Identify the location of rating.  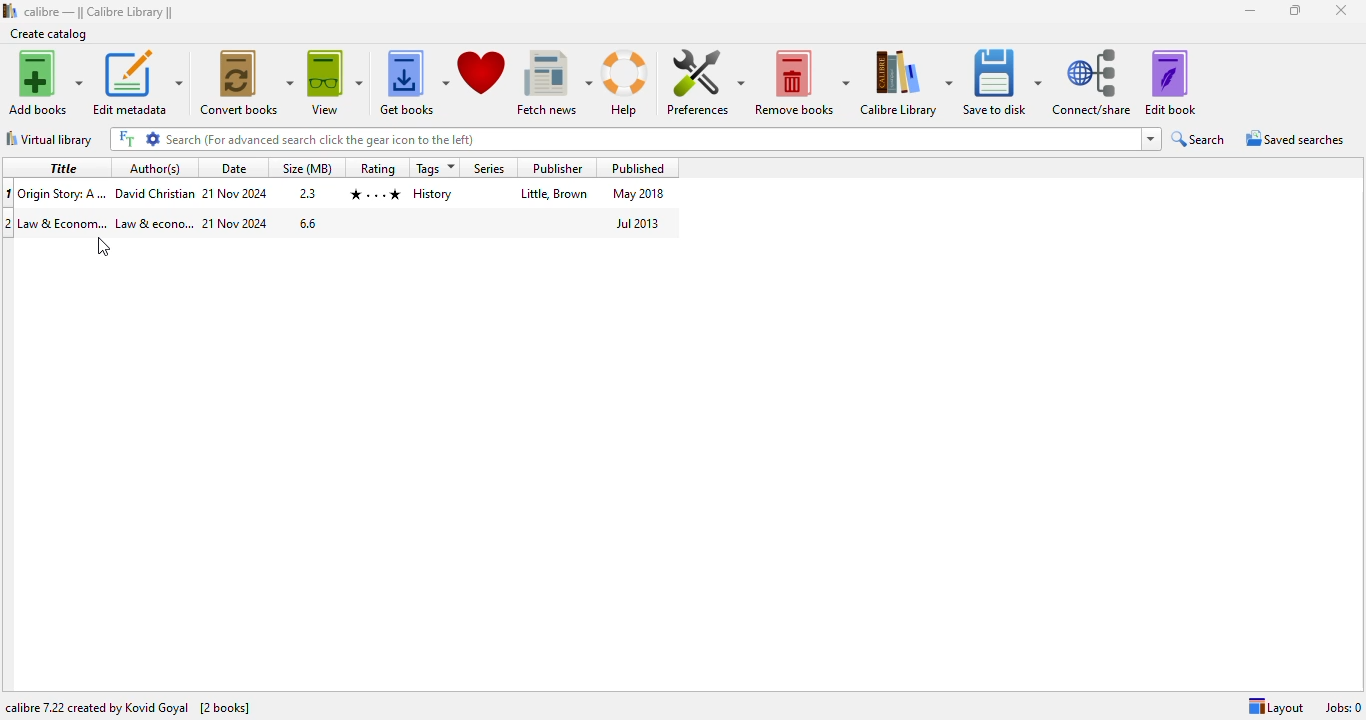
(379, 168).